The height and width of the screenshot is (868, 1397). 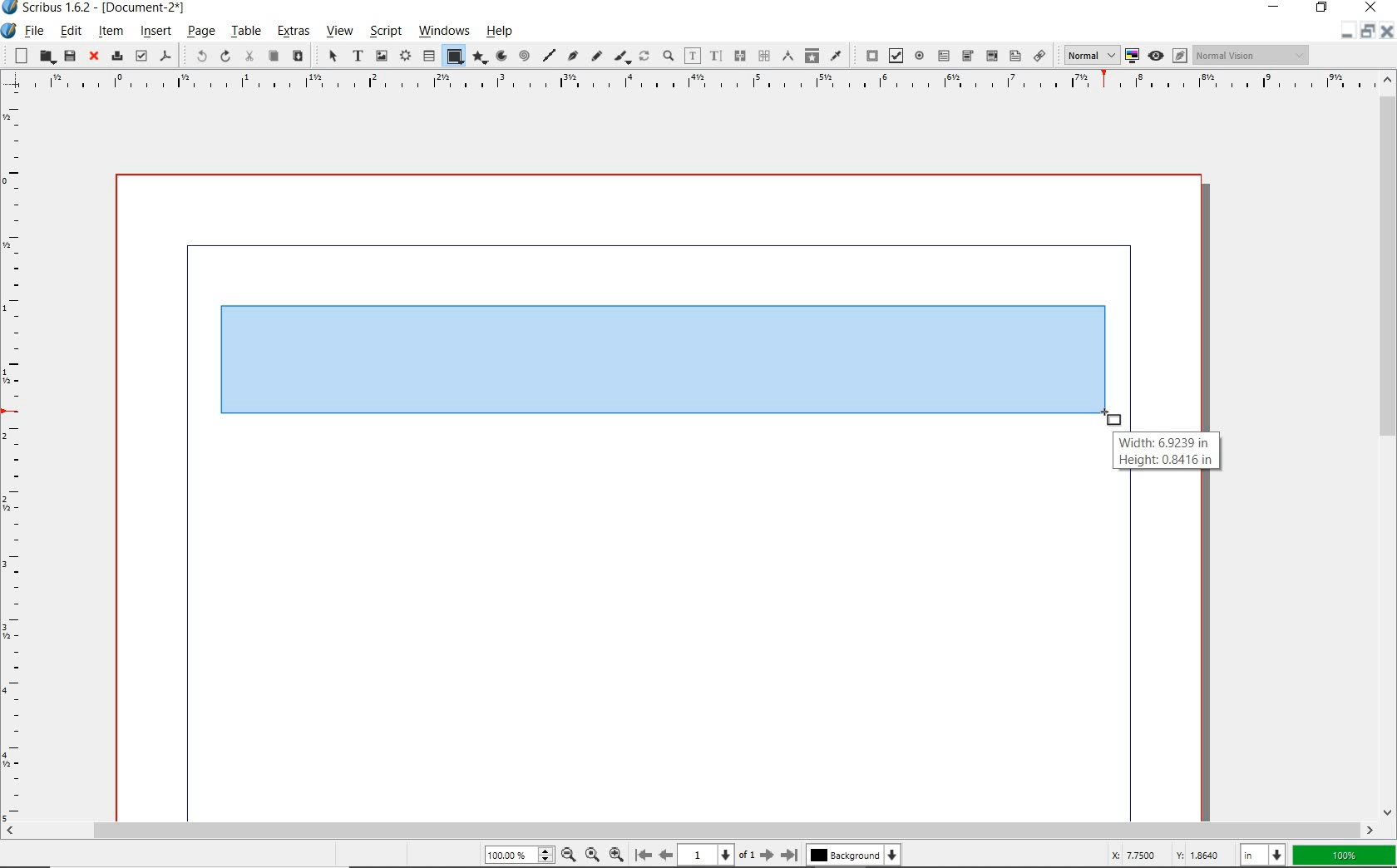 What do you see at coordinates (16, 456) in the screenshot?
I see `ruler` at bounding box center [16, 456].